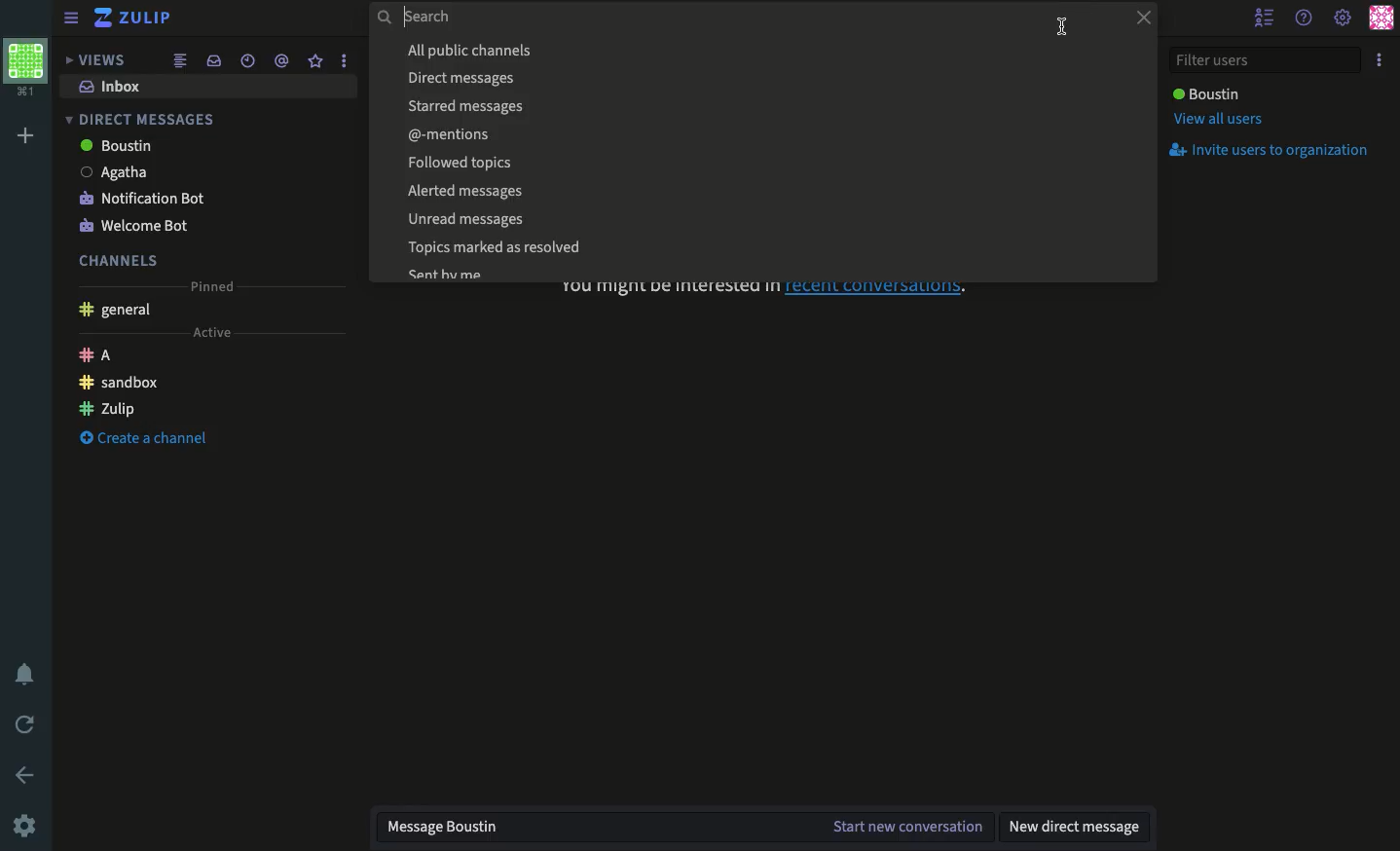 The height and width of the screenshot is (851, 1400). Describe the element at coordinates (591, 830) in the screenshot. I see `Message` at that location.